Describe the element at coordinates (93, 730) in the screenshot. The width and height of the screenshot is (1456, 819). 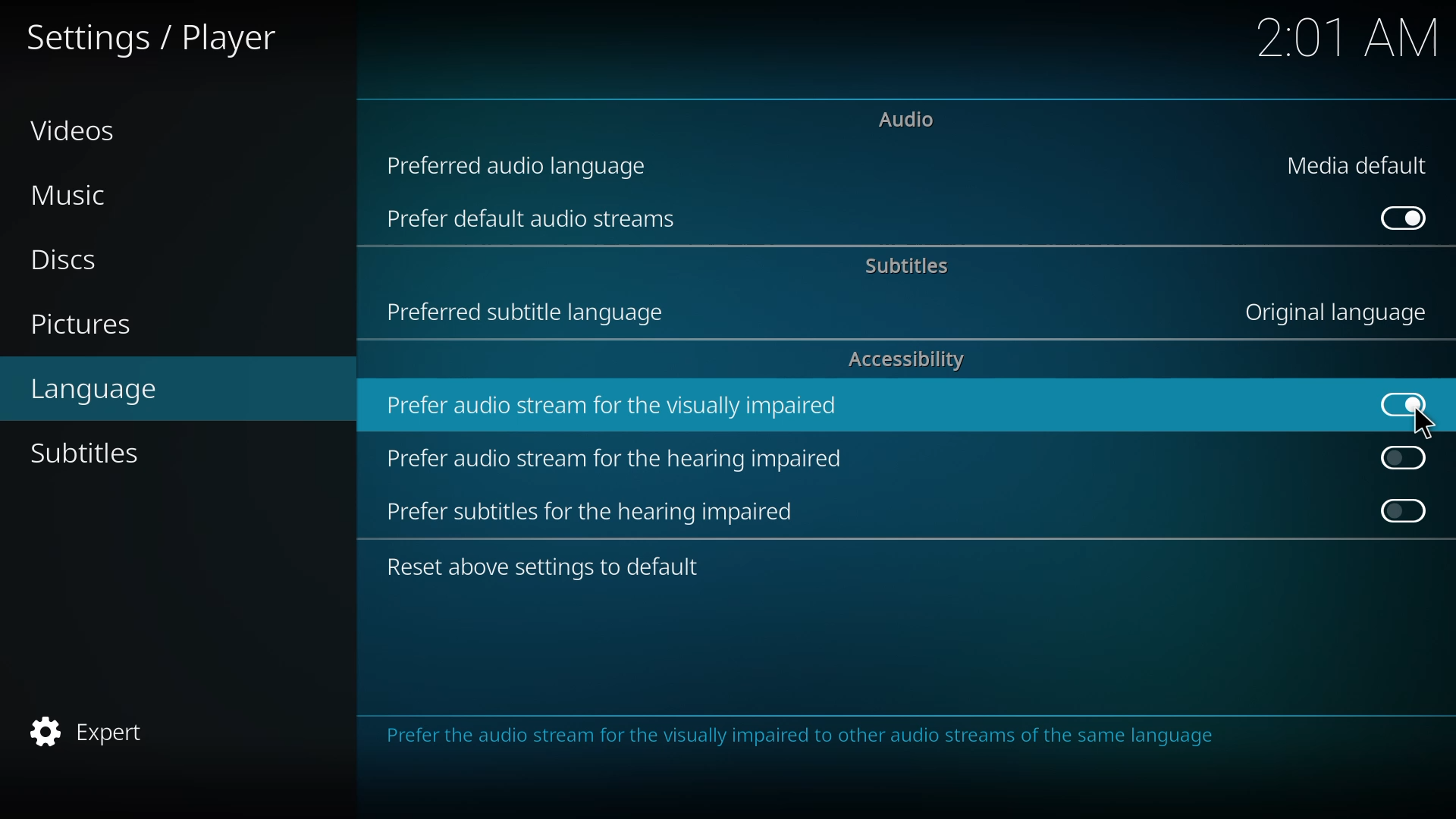
I see `expert` at that location.